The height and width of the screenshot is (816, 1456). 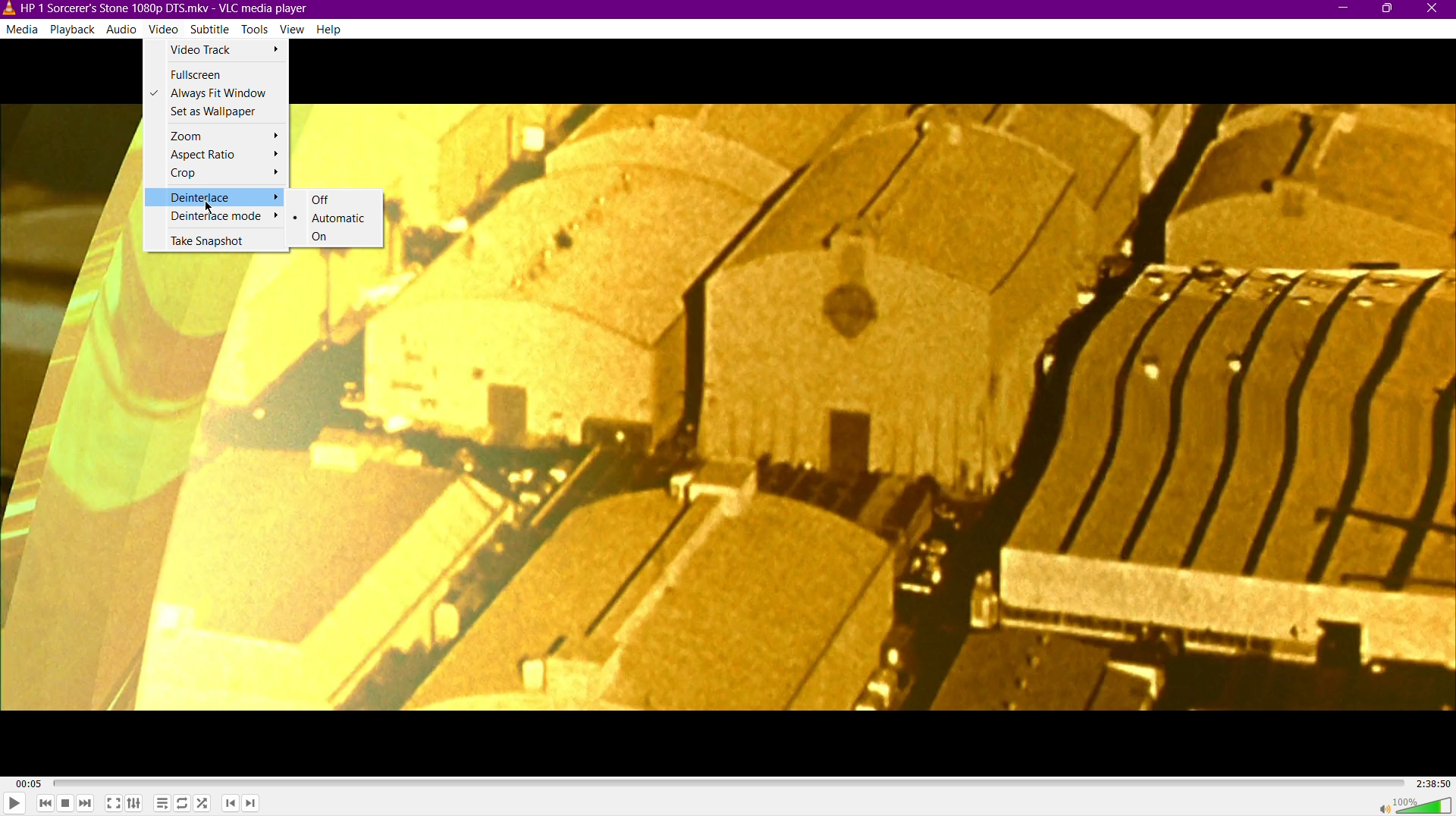 What do you see at coordinates (1412, 804) in the screenshot?
I see `Volume 100%` at bounding box center [1412, 804].